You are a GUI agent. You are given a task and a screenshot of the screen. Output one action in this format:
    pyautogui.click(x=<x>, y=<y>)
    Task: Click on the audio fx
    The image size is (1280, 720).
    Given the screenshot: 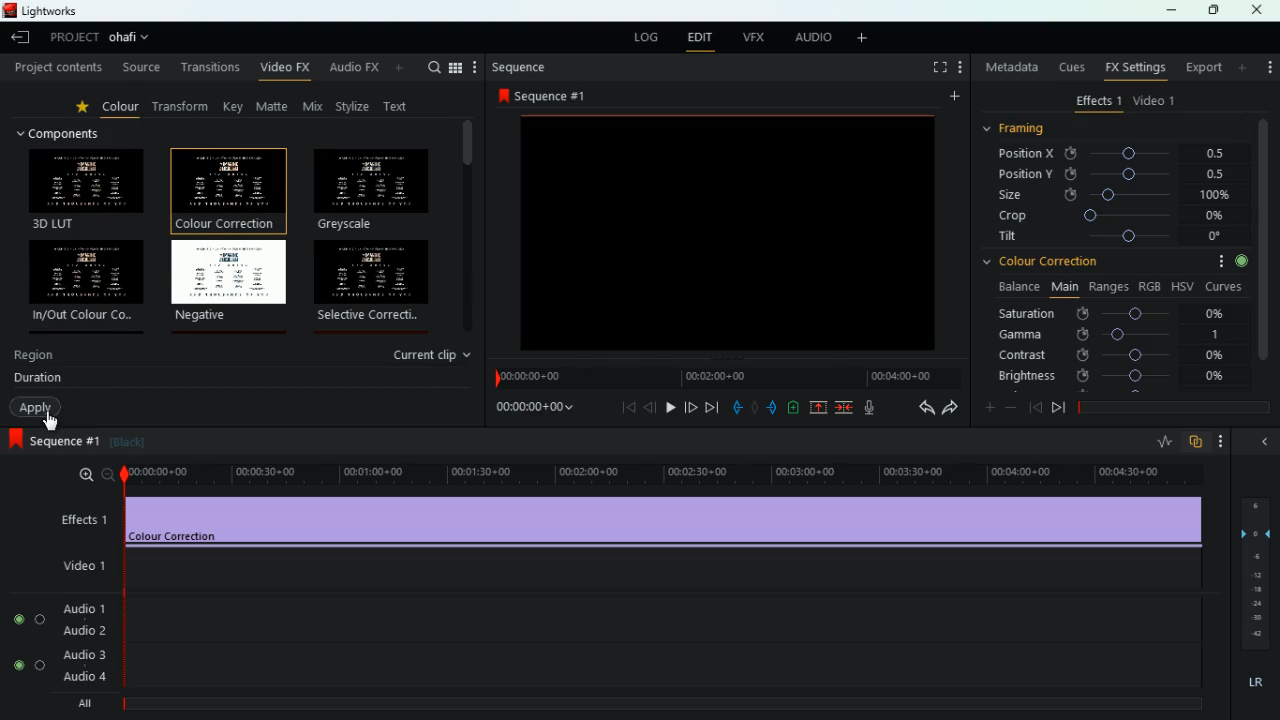 What is the action you would take?
    pyautogui.click(x=369, y=69)
    